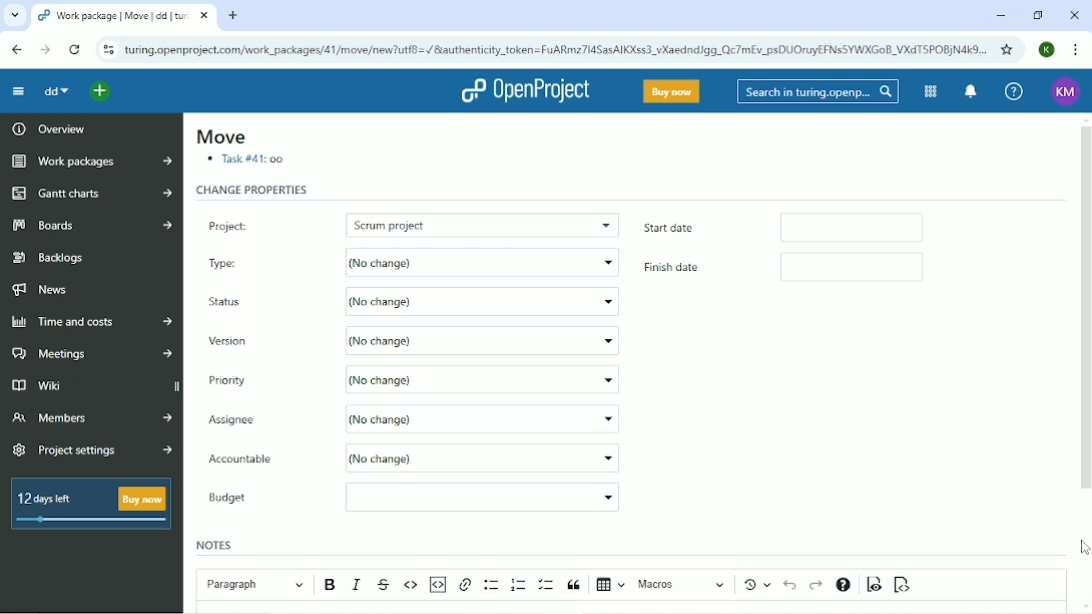 The width and height of the screenshot is (1092, 614). Describe the element at coordinates (1014, 90) in the screenshot. I see `Help` at that location.